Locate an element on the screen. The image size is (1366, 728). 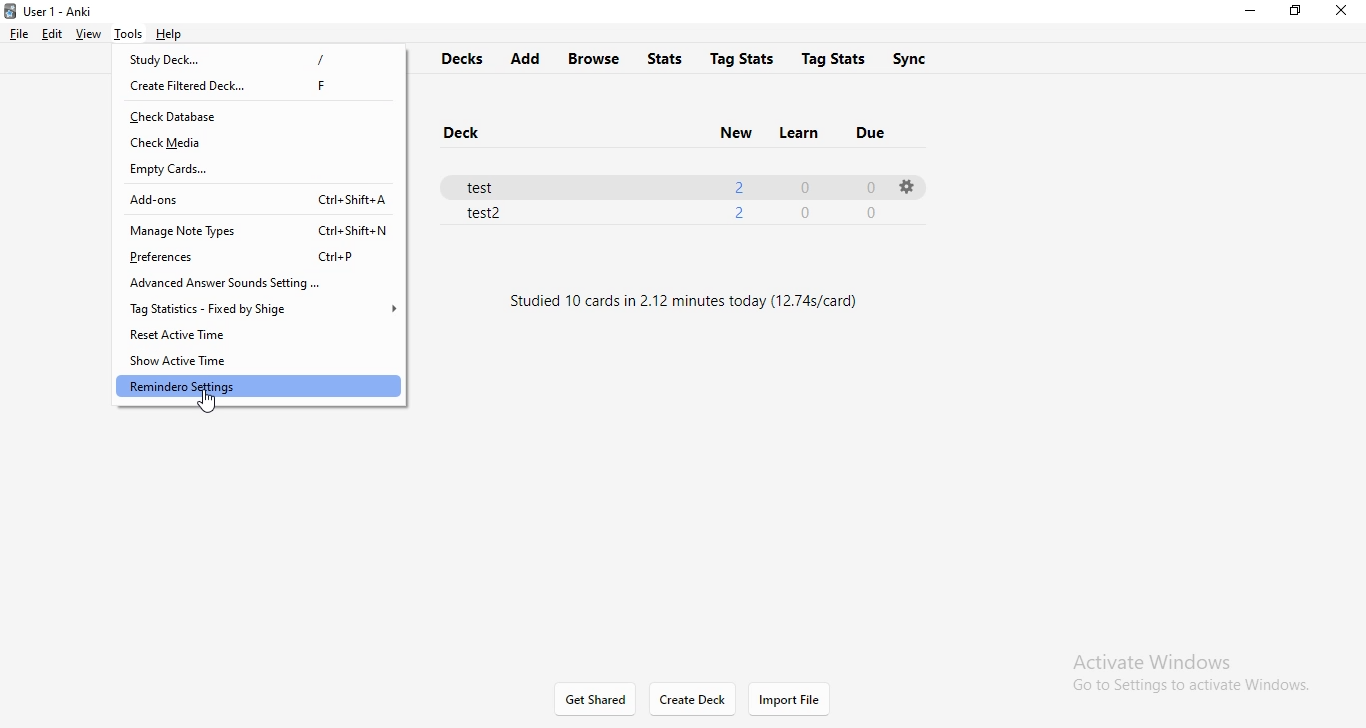
stats is located at coordinates (669, 56).